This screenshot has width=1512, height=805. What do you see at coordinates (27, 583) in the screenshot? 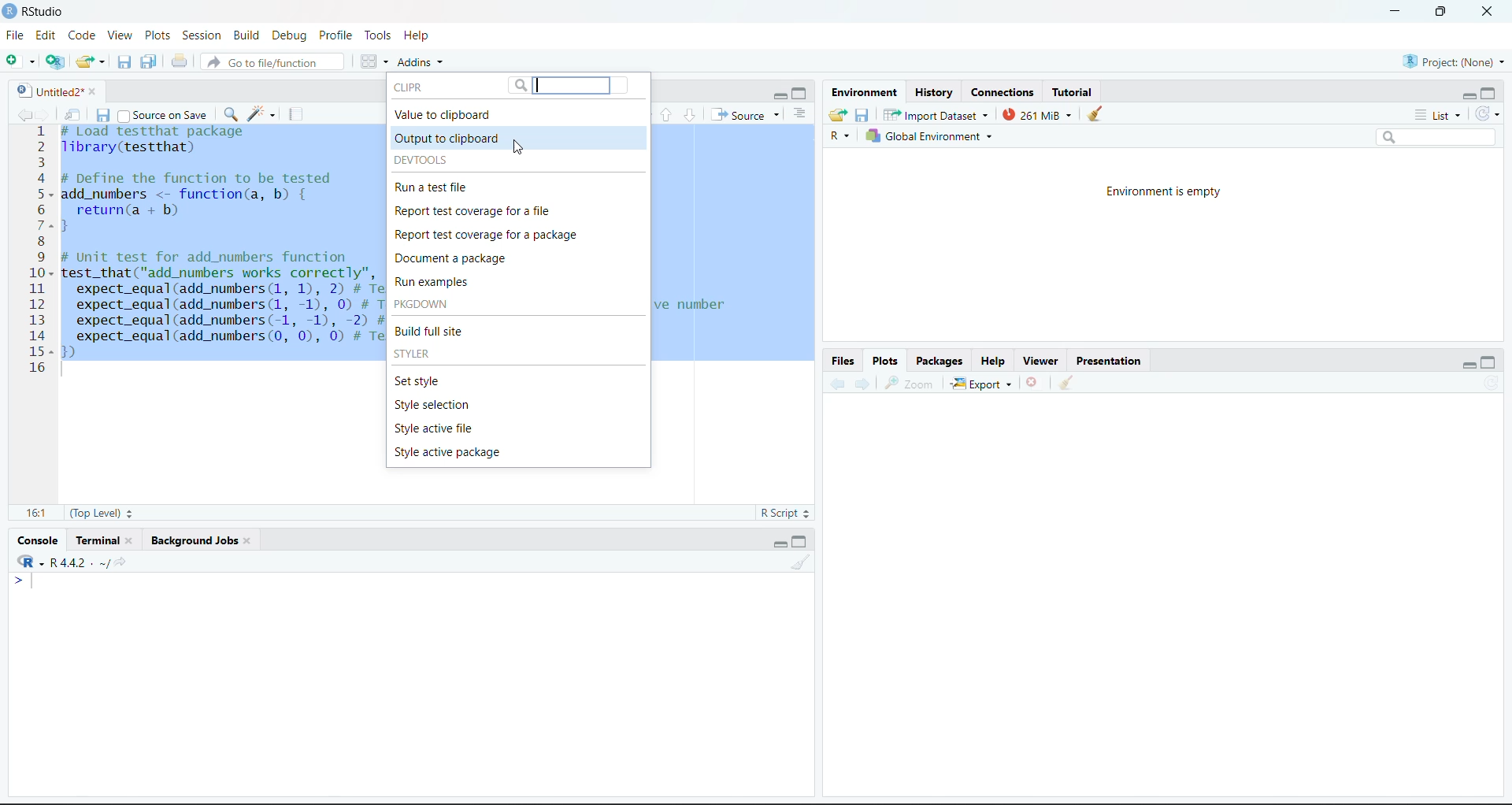
I see `typing cursor` at bounding box center [27, 583].